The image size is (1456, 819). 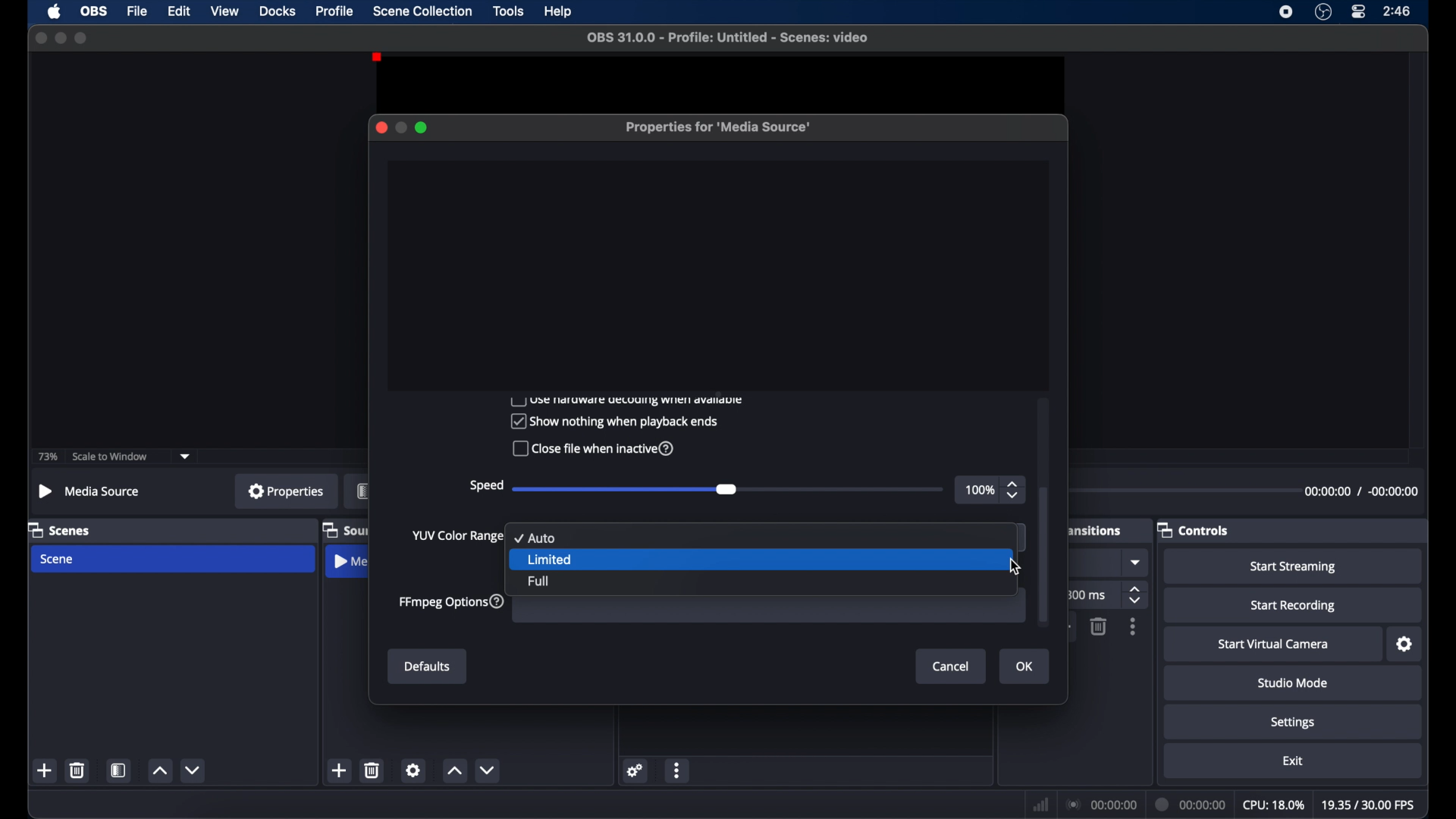 What do you see at coordinates (613, 420) in the screenshot?
I see `Show nothing when playback ends` at bounding box center [613, 420].